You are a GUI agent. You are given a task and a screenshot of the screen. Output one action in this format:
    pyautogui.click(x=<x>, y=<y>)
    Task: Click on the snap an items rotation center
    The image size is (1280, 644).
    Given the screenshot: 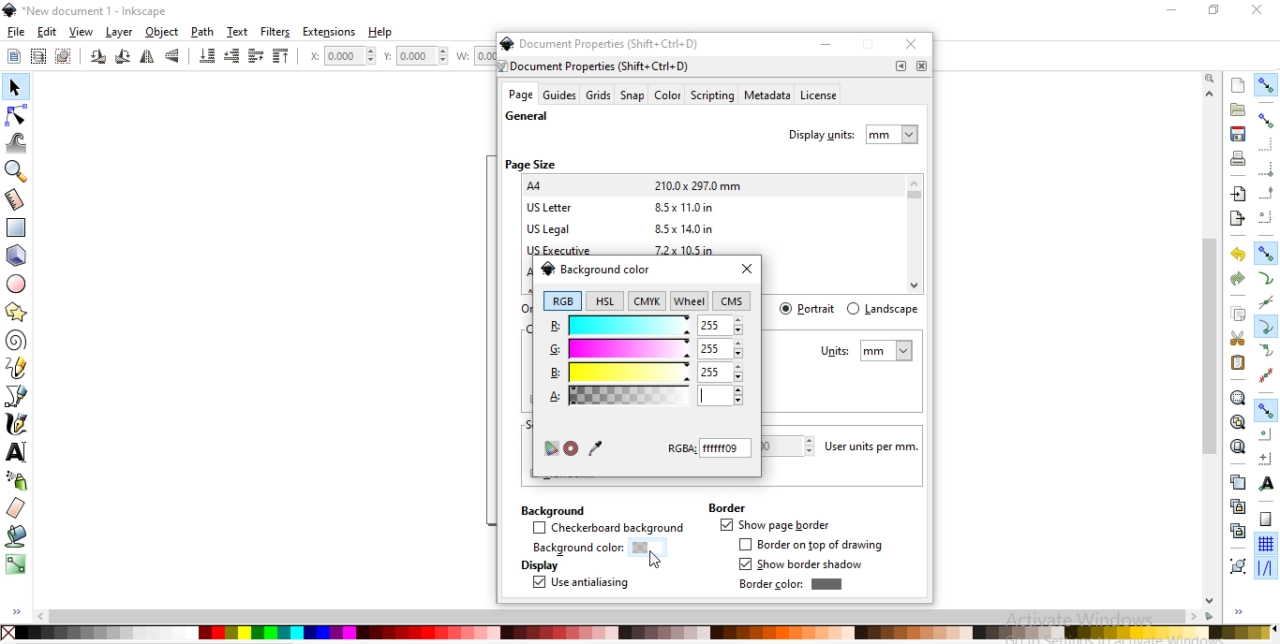 What is the action you would take?
    pyautogui.click(x=1266, y=458)
    